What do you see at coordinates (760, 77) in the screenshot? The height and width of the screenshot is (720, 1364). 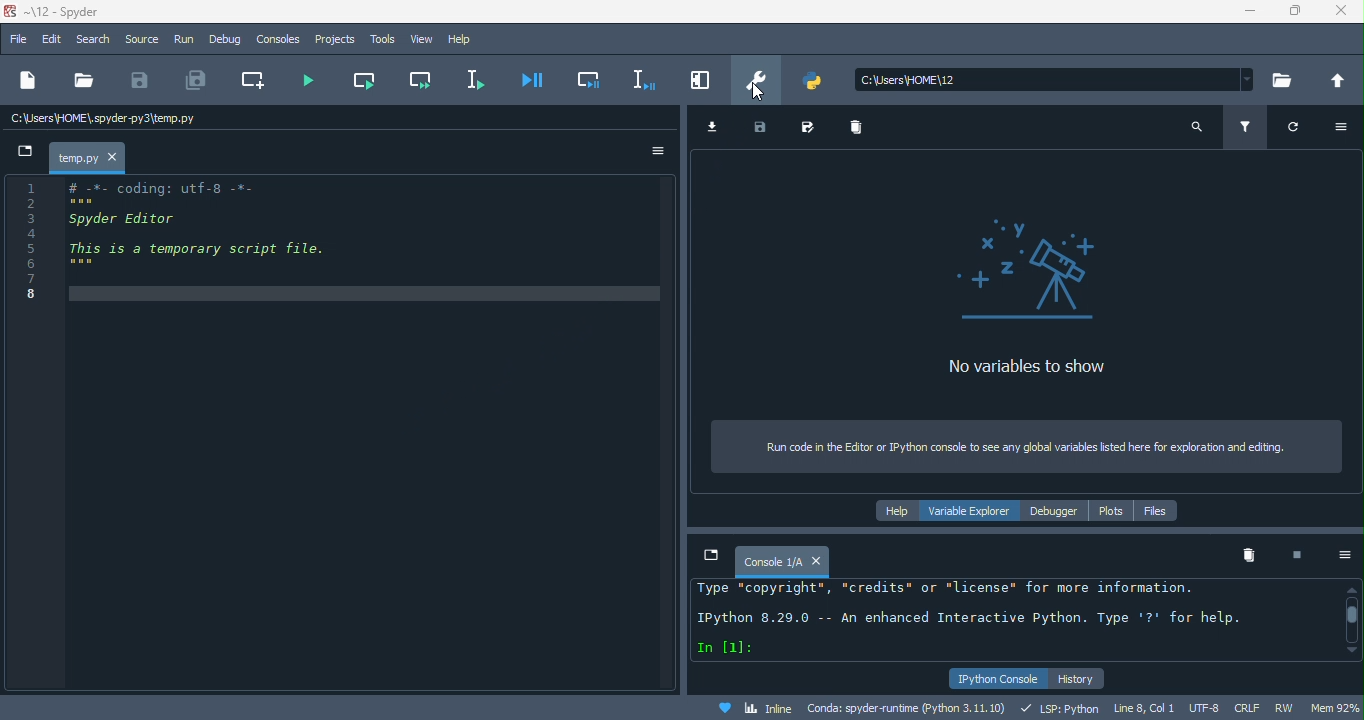 I see `preferences` at bounding box center [760, 77].